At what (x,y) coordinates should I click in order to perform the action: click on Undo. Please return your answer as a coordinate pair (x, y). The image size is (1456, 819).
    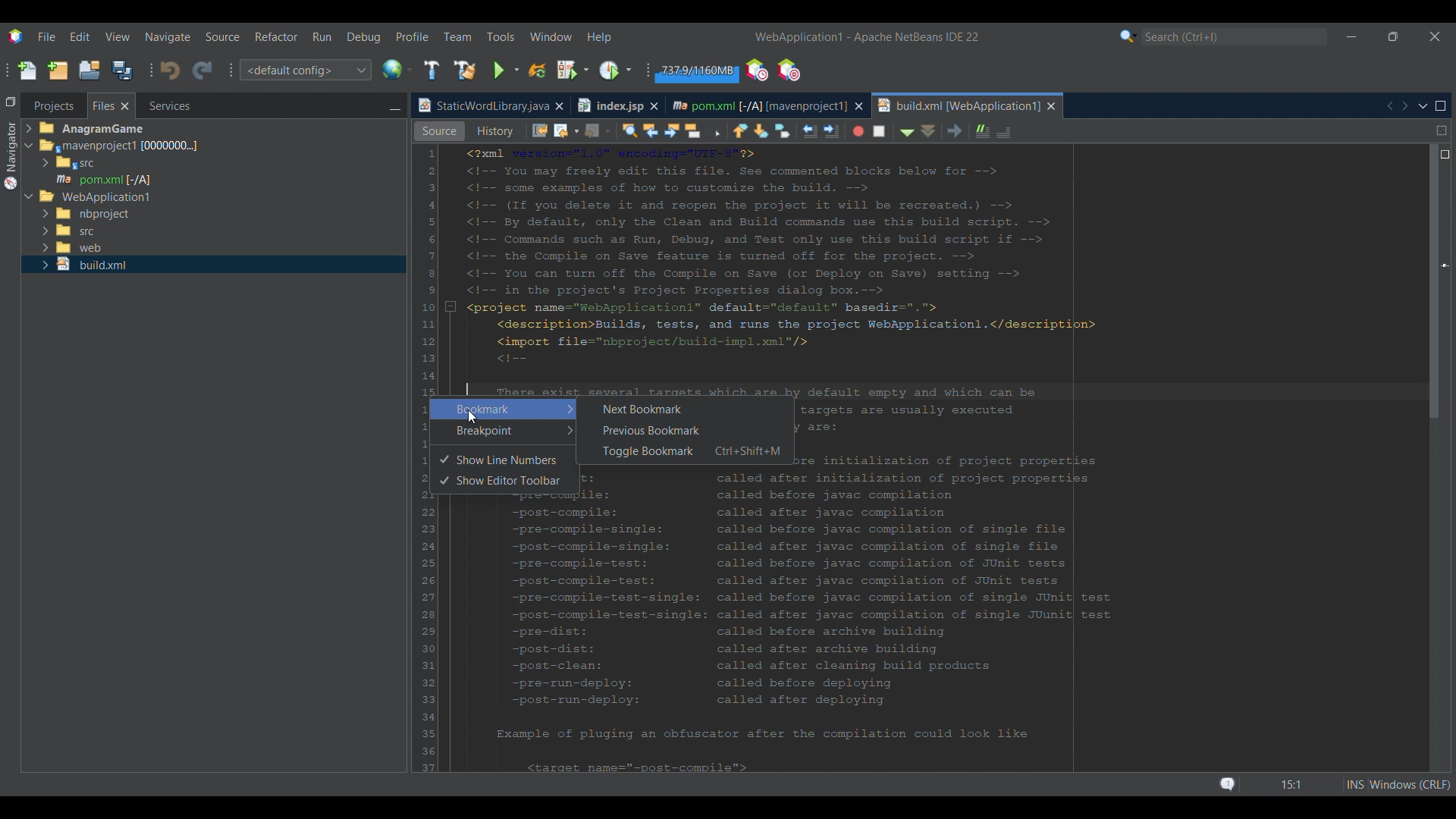
    Looking at the image, I should click on (170, 71).